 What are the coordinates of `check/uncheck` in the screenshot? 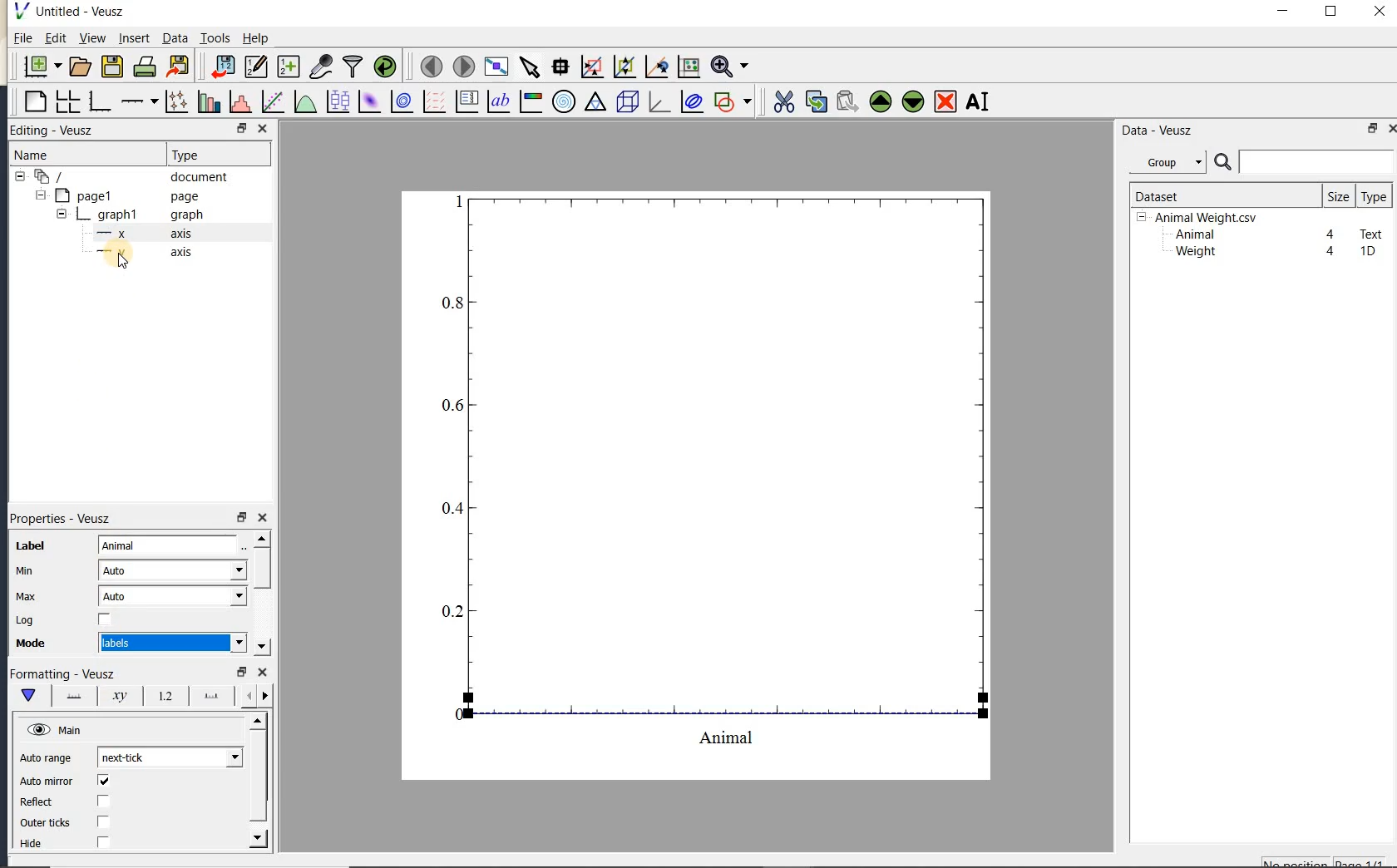 It's located at (104, 821).